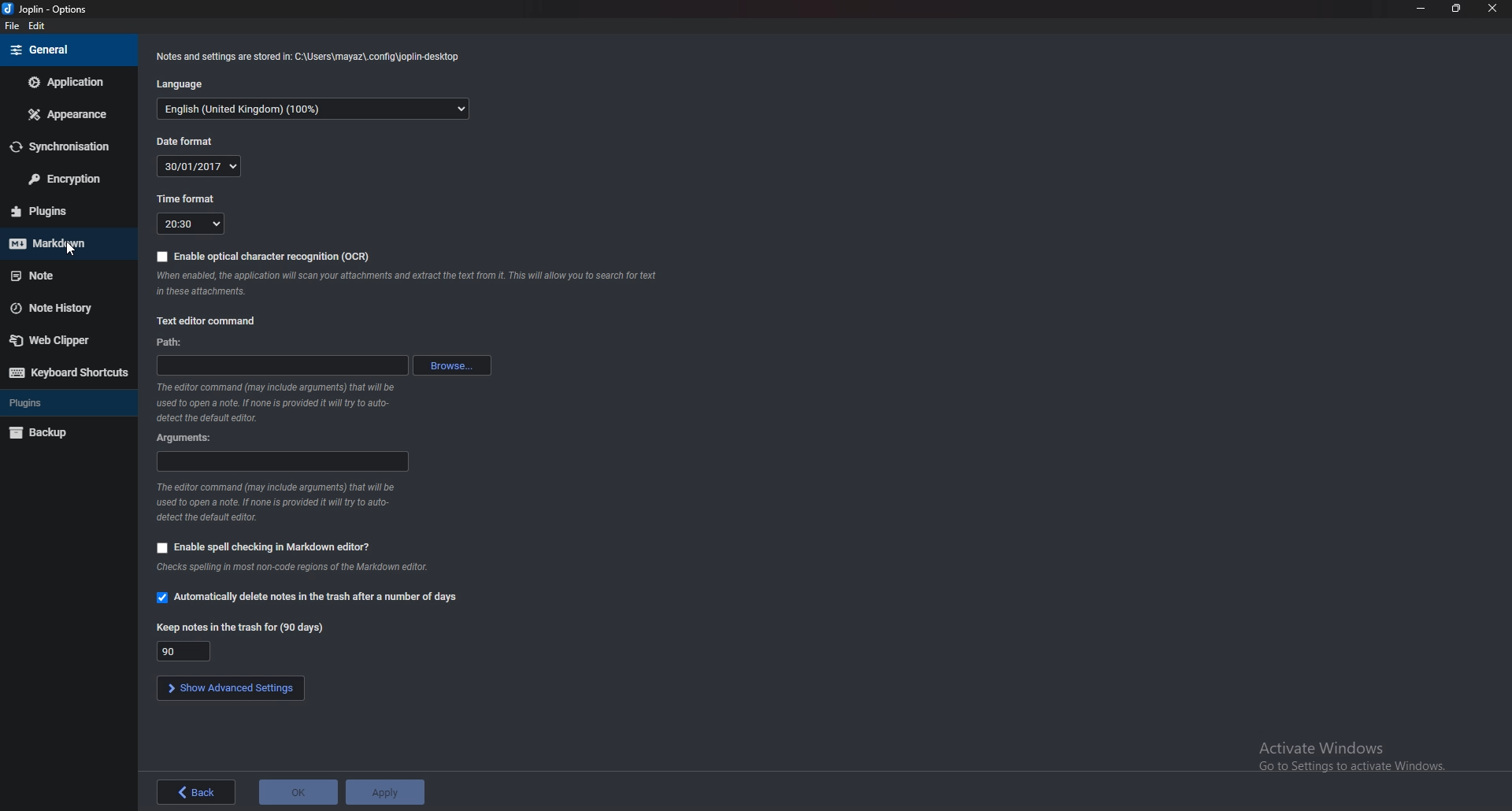 This screenshot has width=1512, height=811. Describe the element at coordinates (196, 791) in the screenshot. I see `back` at that location.